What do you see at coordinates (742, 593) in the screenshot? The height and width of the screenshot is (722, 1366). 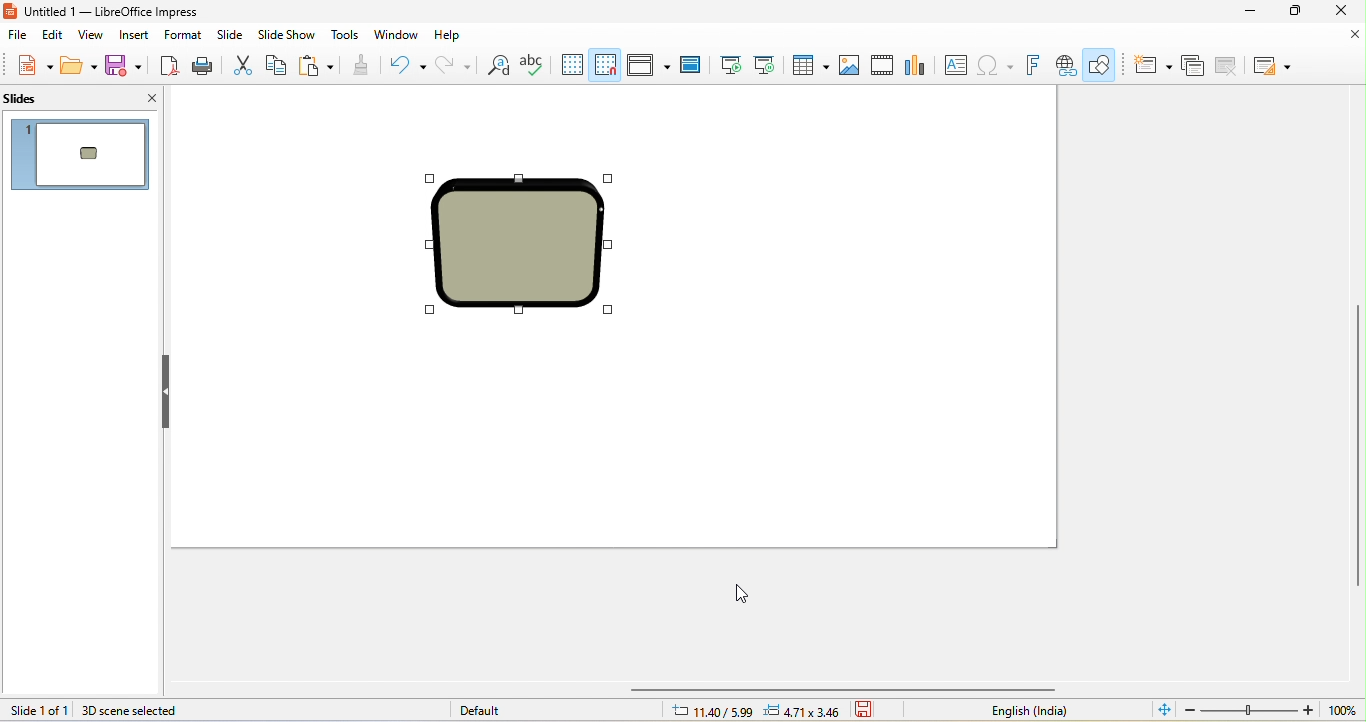 I see `cursor` at bounding box center [742, 593].